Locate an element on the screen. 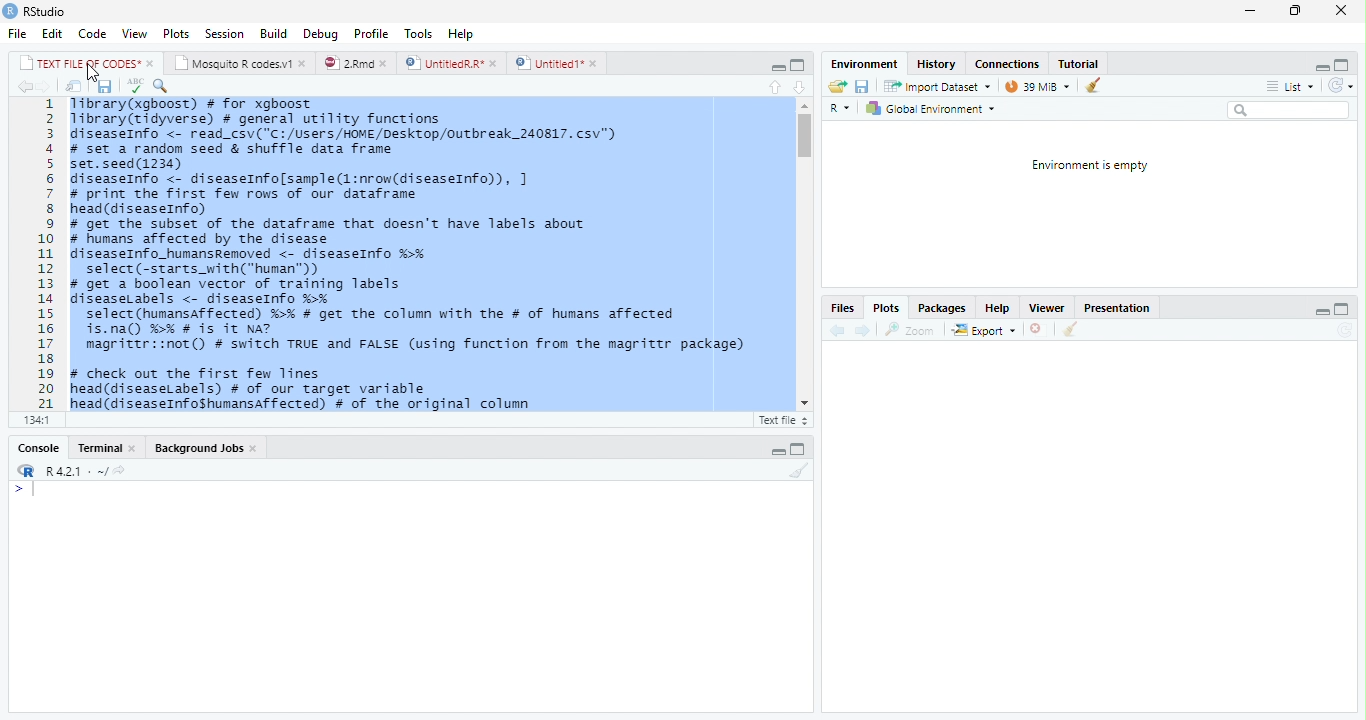 The width and height of the screenshot is (1366, 720). Restore Down is located at coordinates (1294, 11).